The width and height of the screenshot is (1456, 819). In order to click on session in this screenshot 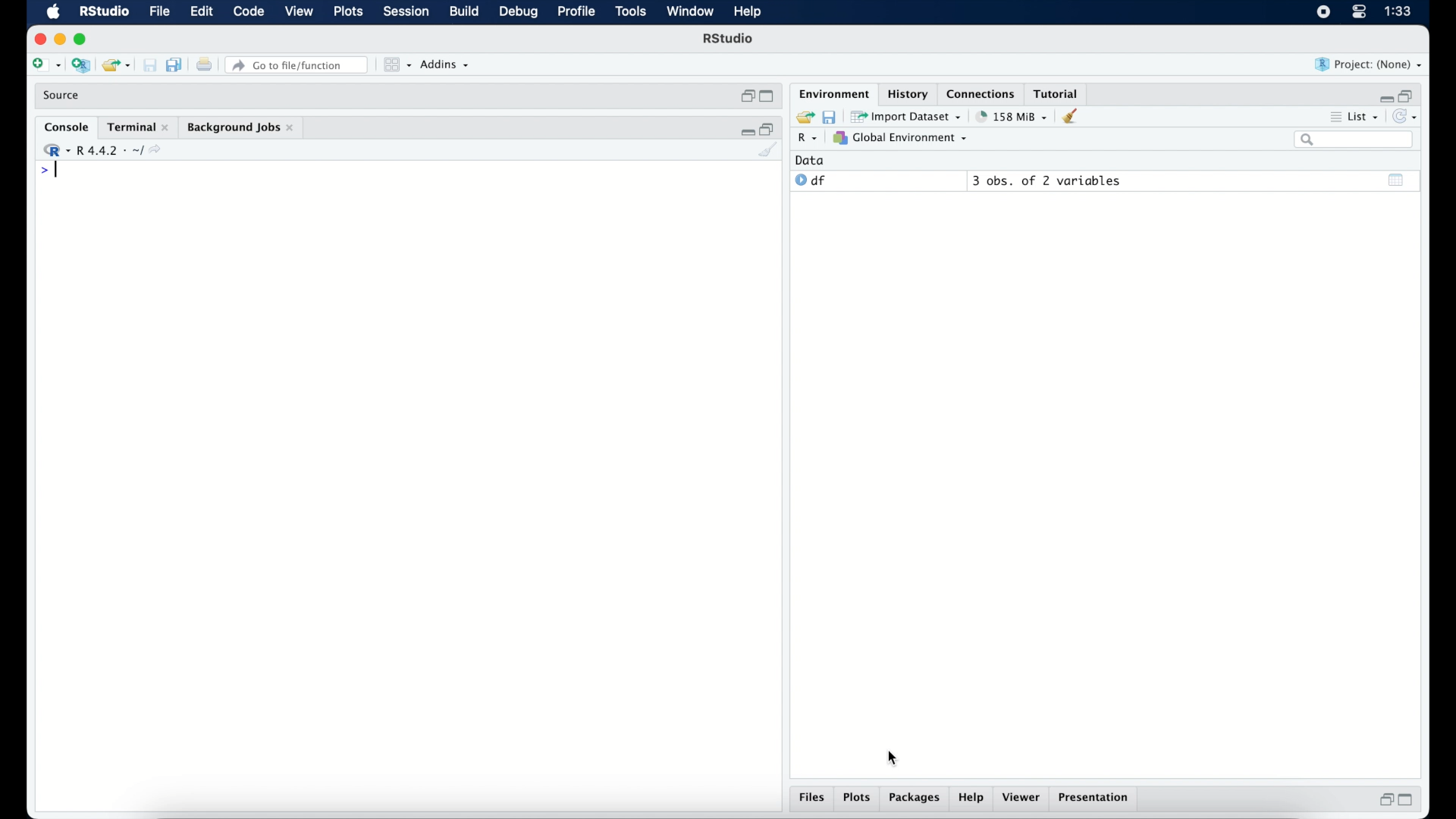, I will do `click(406, 12)`.